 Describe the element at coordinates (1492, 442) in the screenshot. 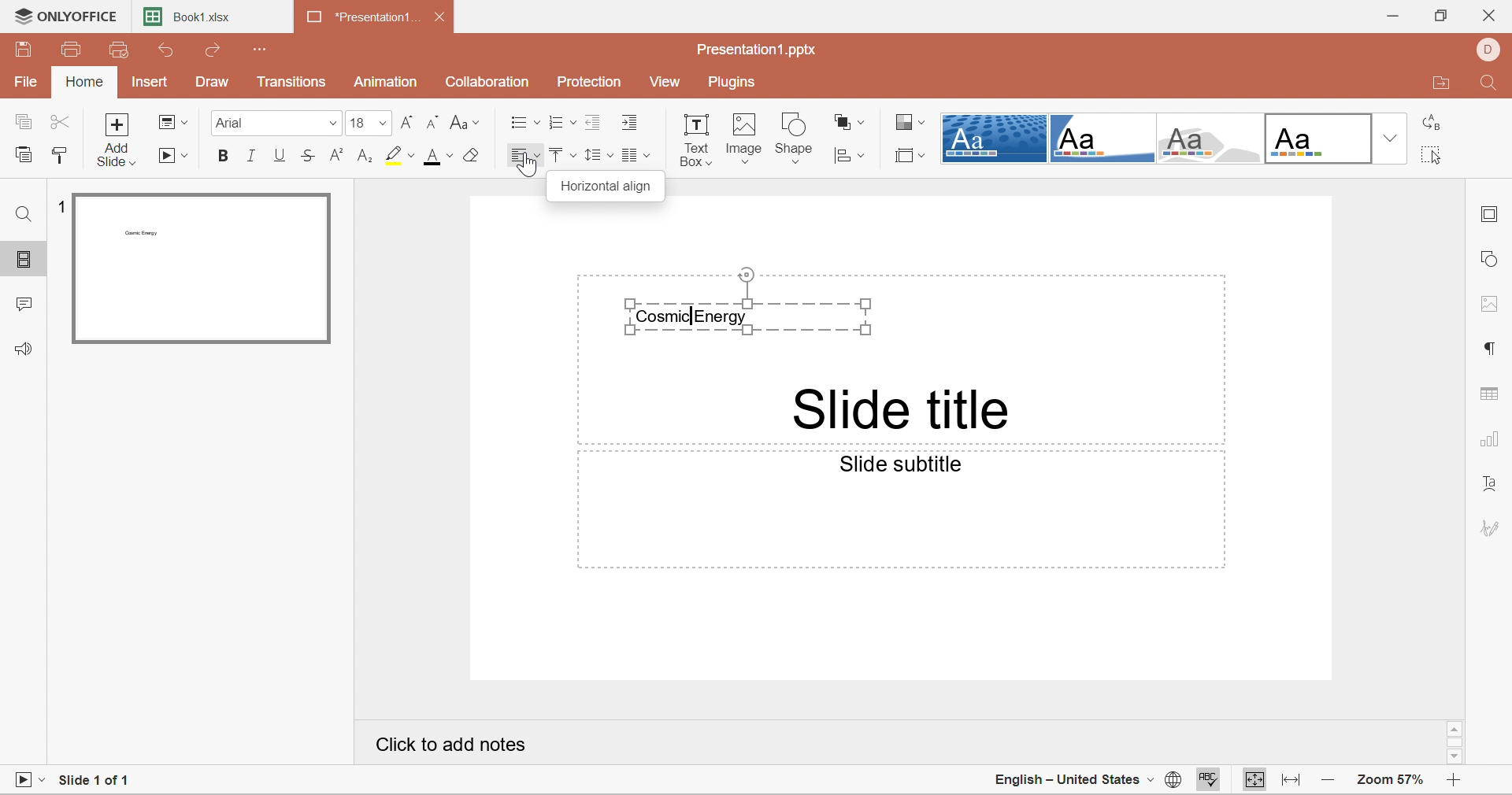

I see `Chart settings` at that location.